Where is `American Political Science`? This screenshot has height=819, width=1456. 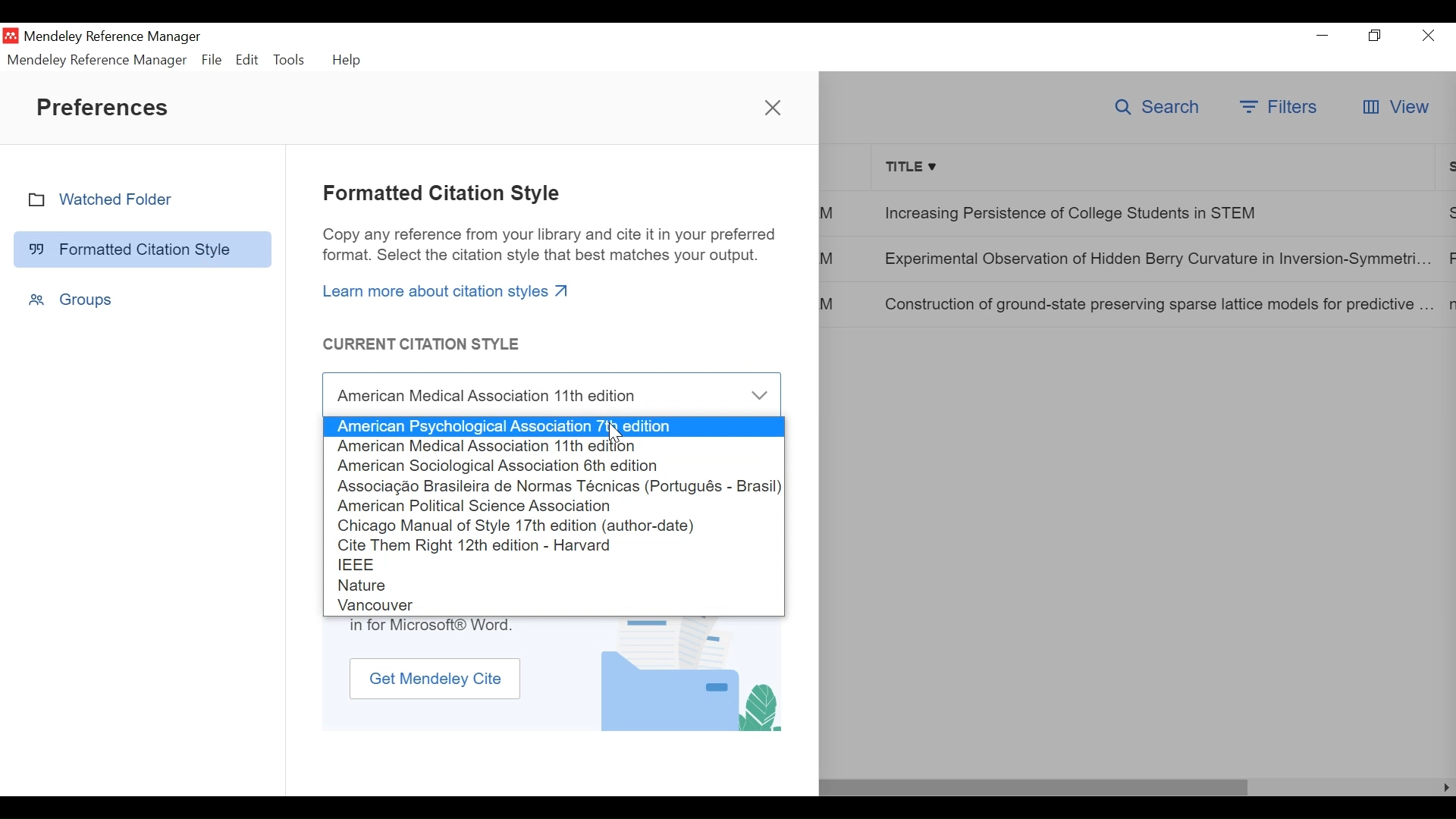
American Political Science is located at coordinates (557, 507).